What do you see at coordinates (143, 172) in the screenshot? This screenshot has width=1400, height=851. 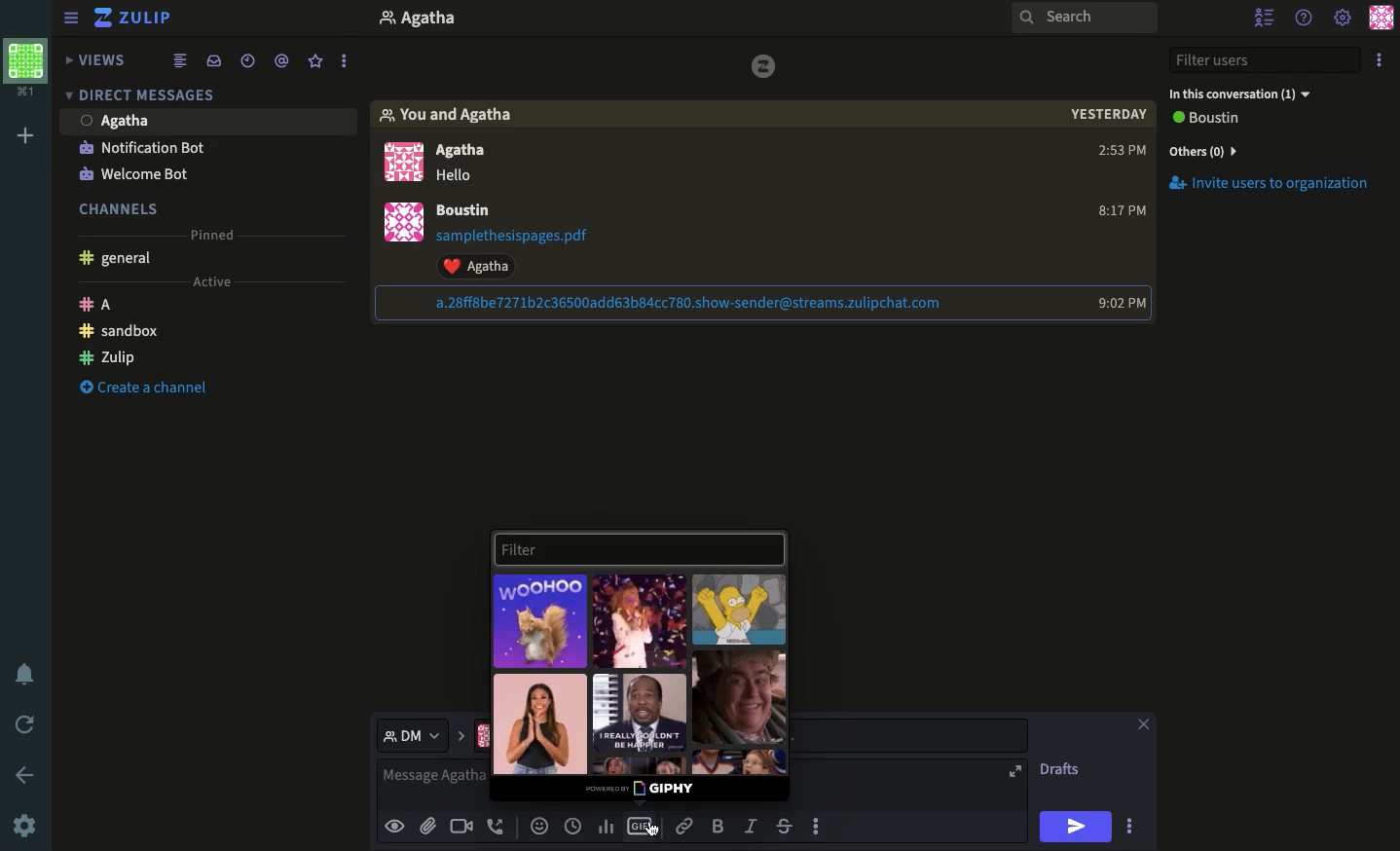 I see `Welcome bot` at bounding box center [143, 172].